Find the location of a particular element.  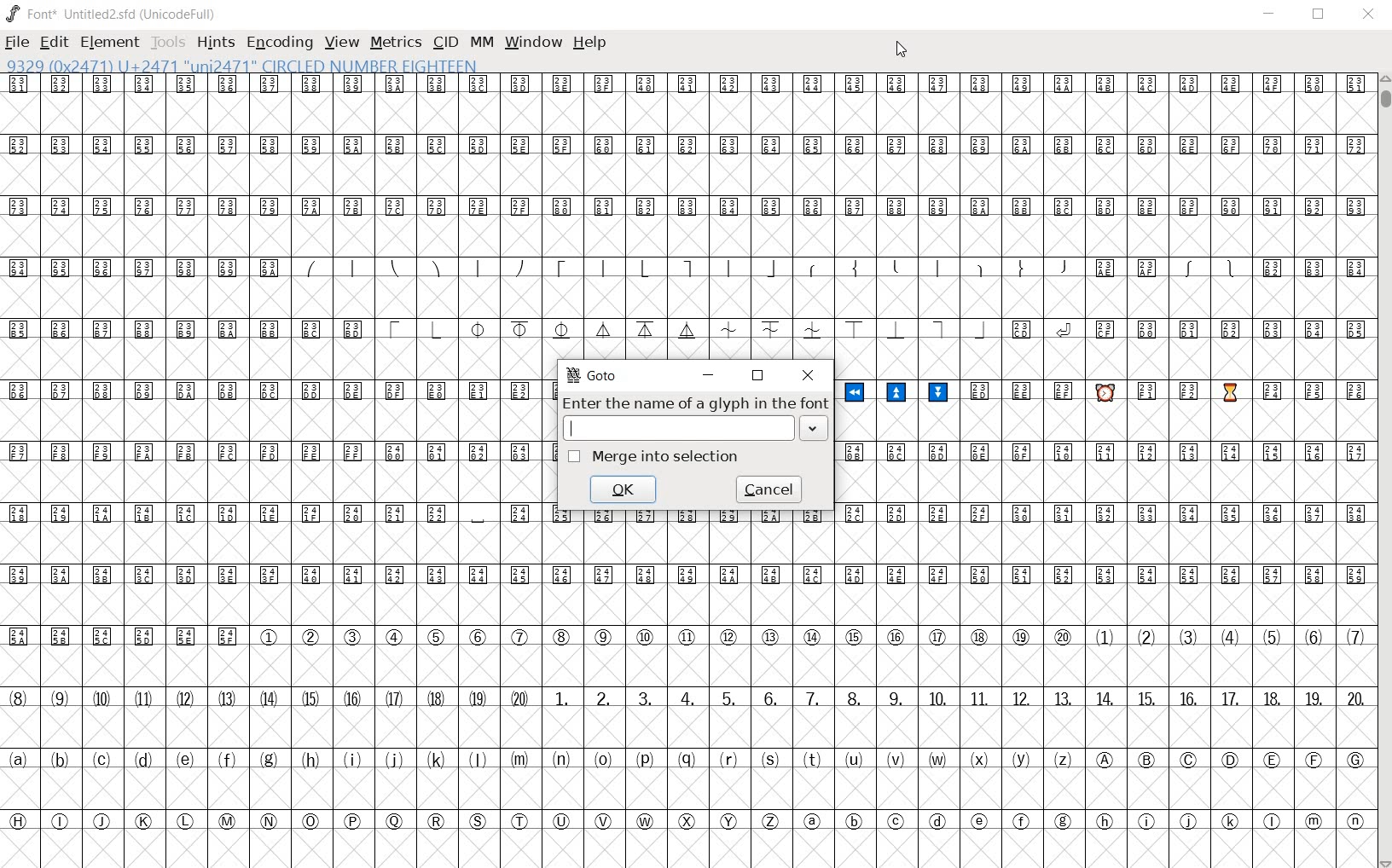

view is located at coordinates (341, 42).